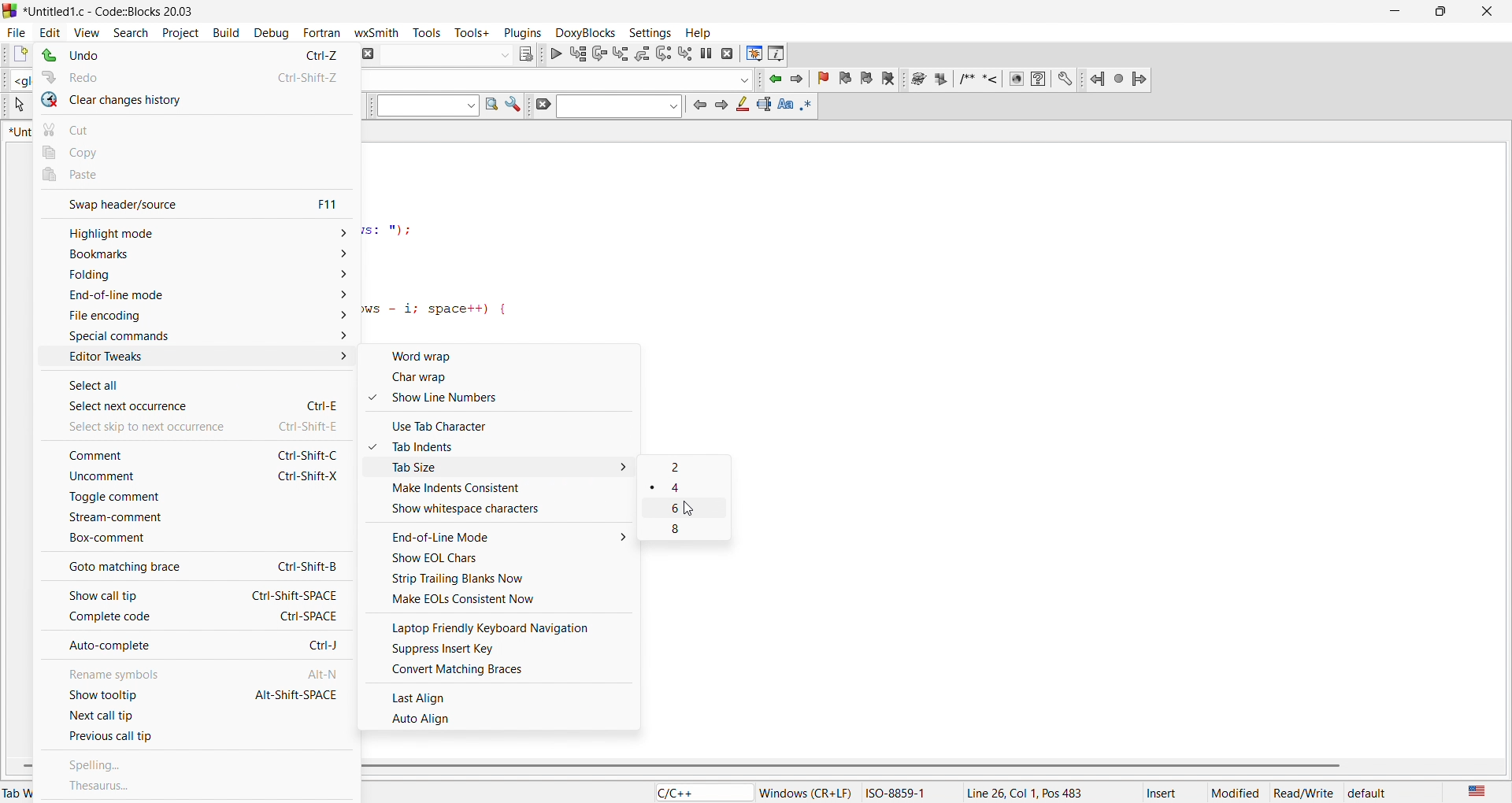  What do you see at coordinates (192, 319) in the screenshot?
I see `file encoding ` at bounding box center [192, 319].